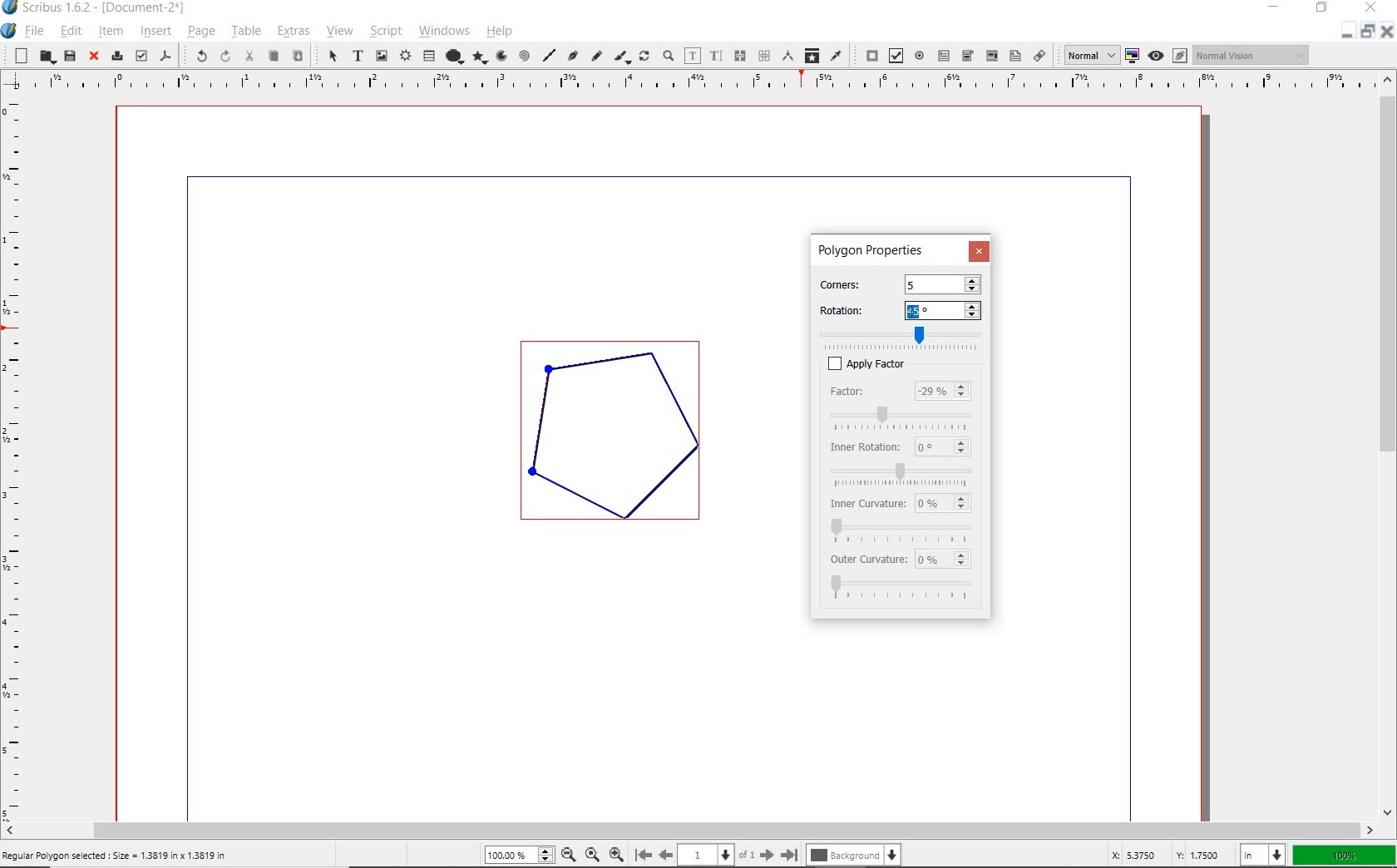 The image size is (1397, 868). Describe the element at coordinates (828, 363) in the screenshot. I see `checkbox` at that location.